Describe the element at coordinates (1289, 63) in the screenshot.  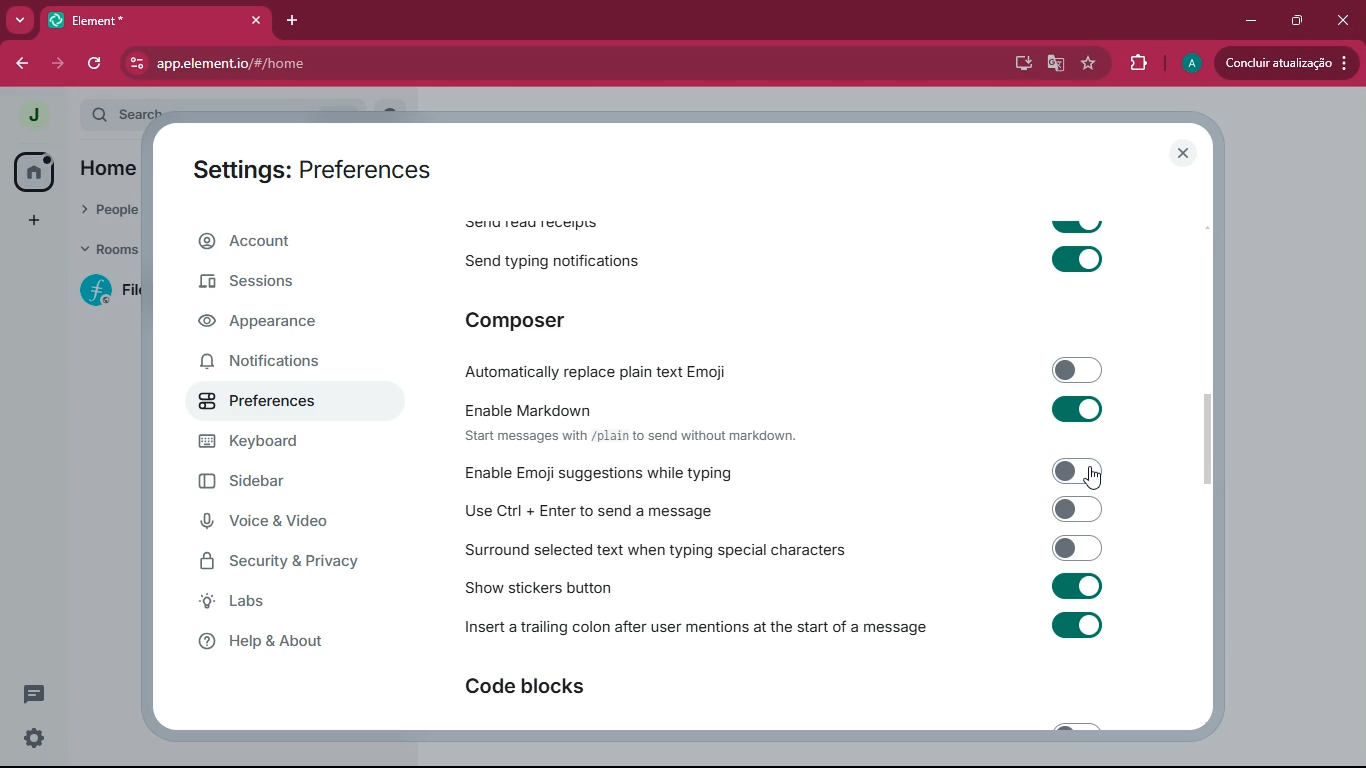
I see `Update` at that location.